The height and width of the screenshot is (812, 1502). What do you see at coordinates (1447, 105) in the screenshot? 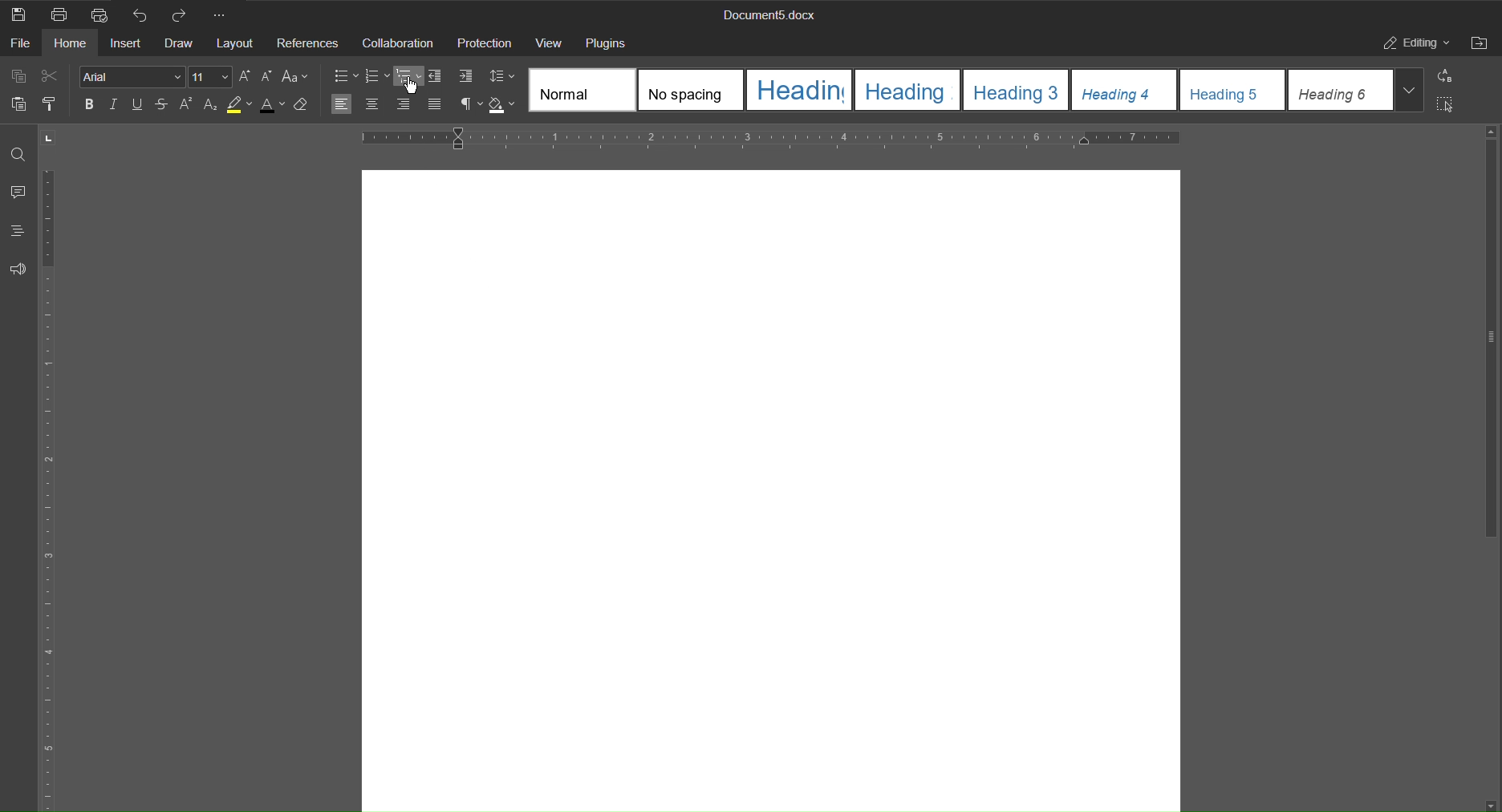
I see `Select All` at bounding box center [1447, 105].